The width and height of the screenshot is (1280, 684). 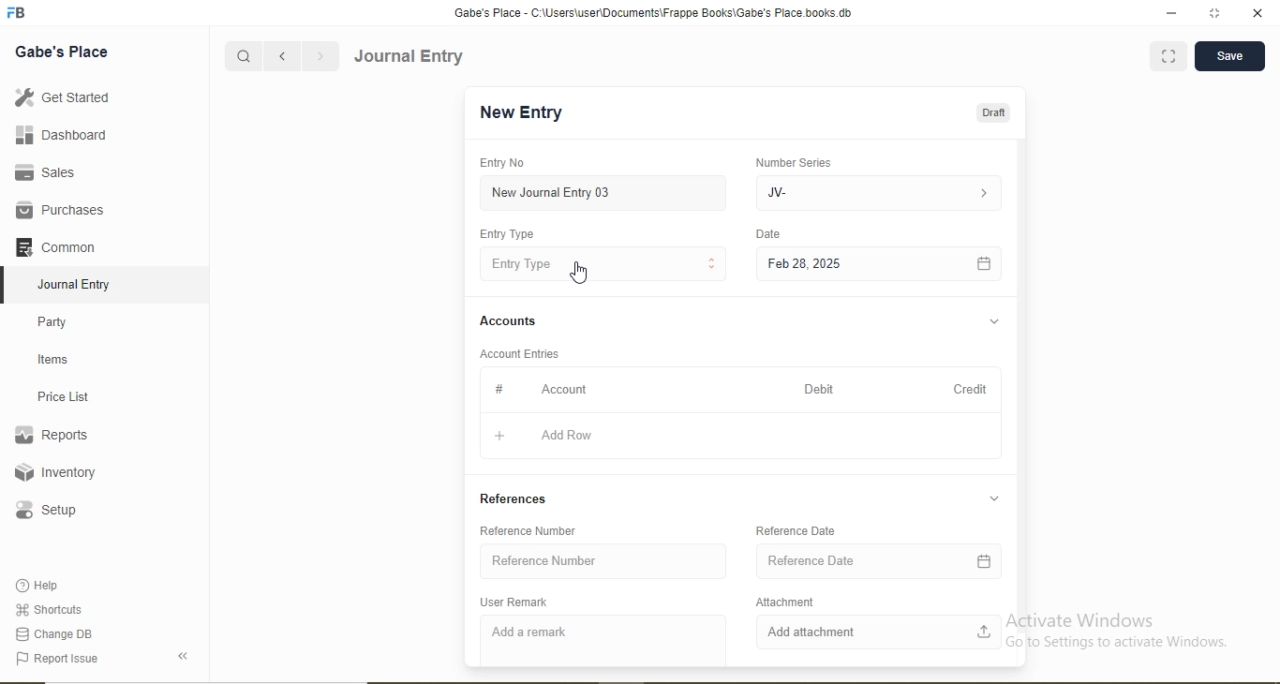 What do you see at coordinates (62, 134) in the screenshot?
I see `Dashboard` at bounding box center [62, 134].